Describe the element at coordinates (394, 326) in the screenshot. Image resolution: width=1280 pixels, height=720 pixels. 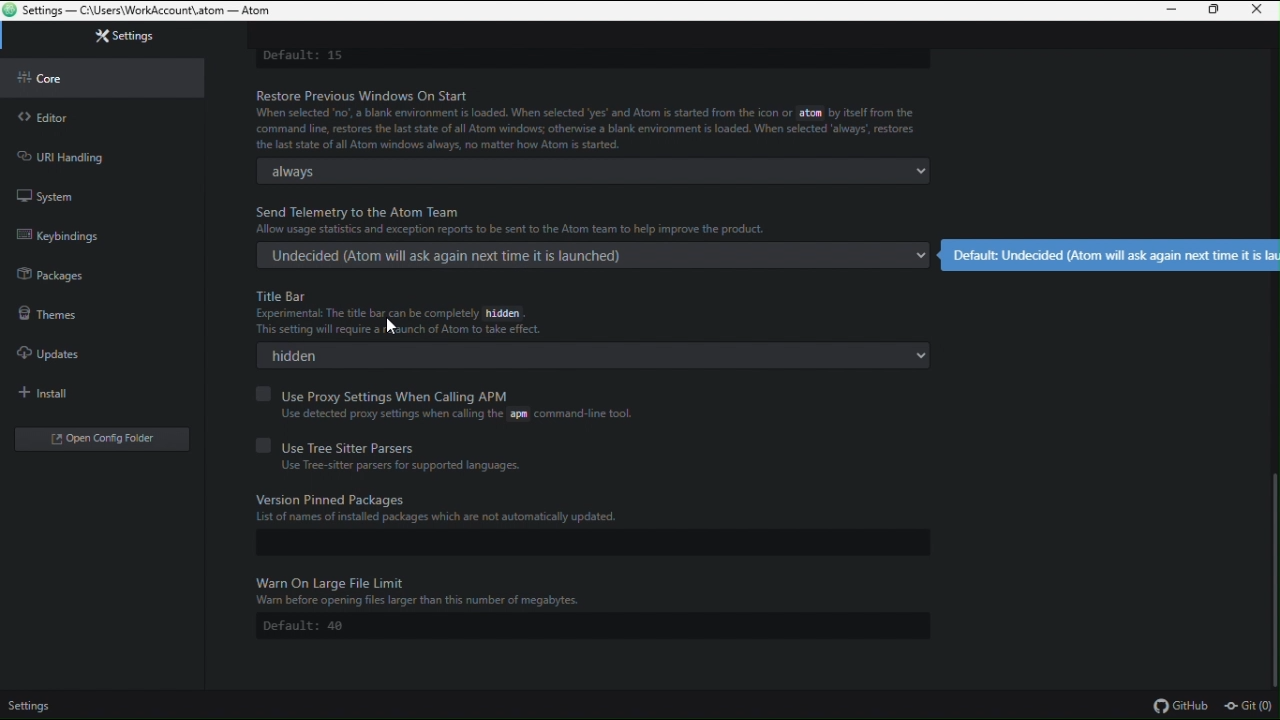
I see `cursor` at that location.